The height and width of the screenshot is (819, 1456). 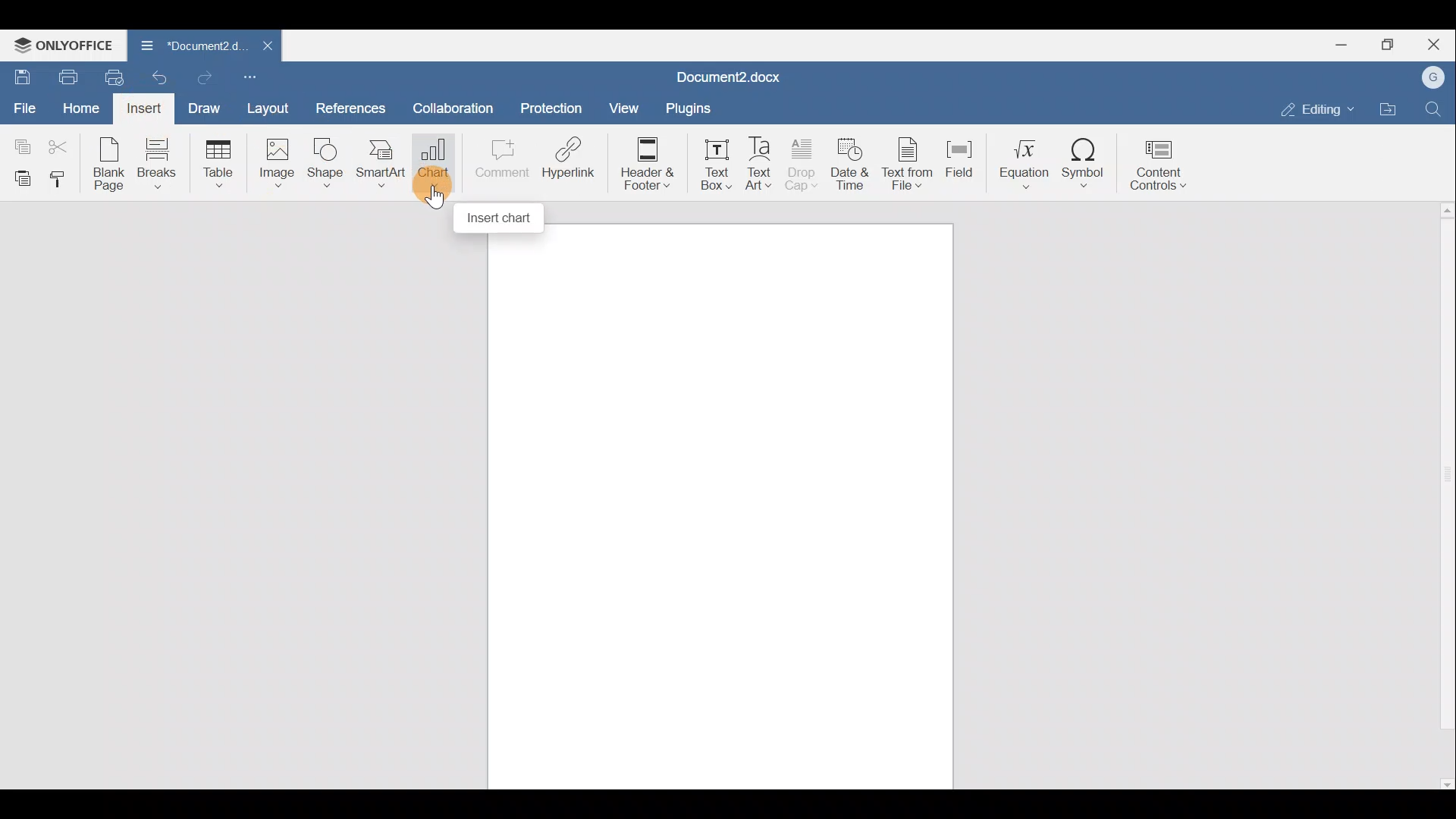 What do you see at coordinates (184, 45) in the screenshot?
I see `Document name` at bounding box center [184, 45].